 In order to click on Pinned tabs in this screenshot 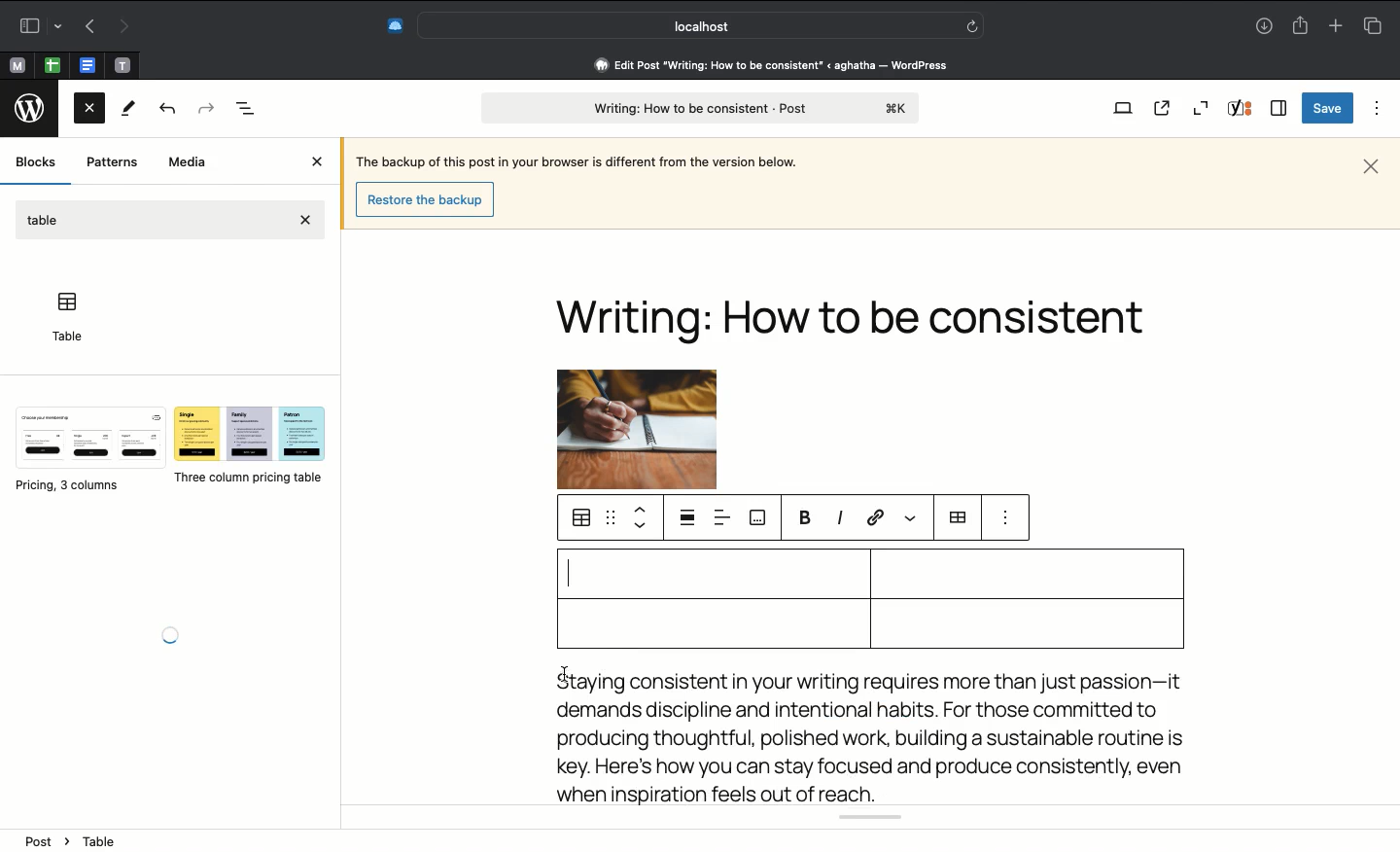, I will do `click(52, 64)`.